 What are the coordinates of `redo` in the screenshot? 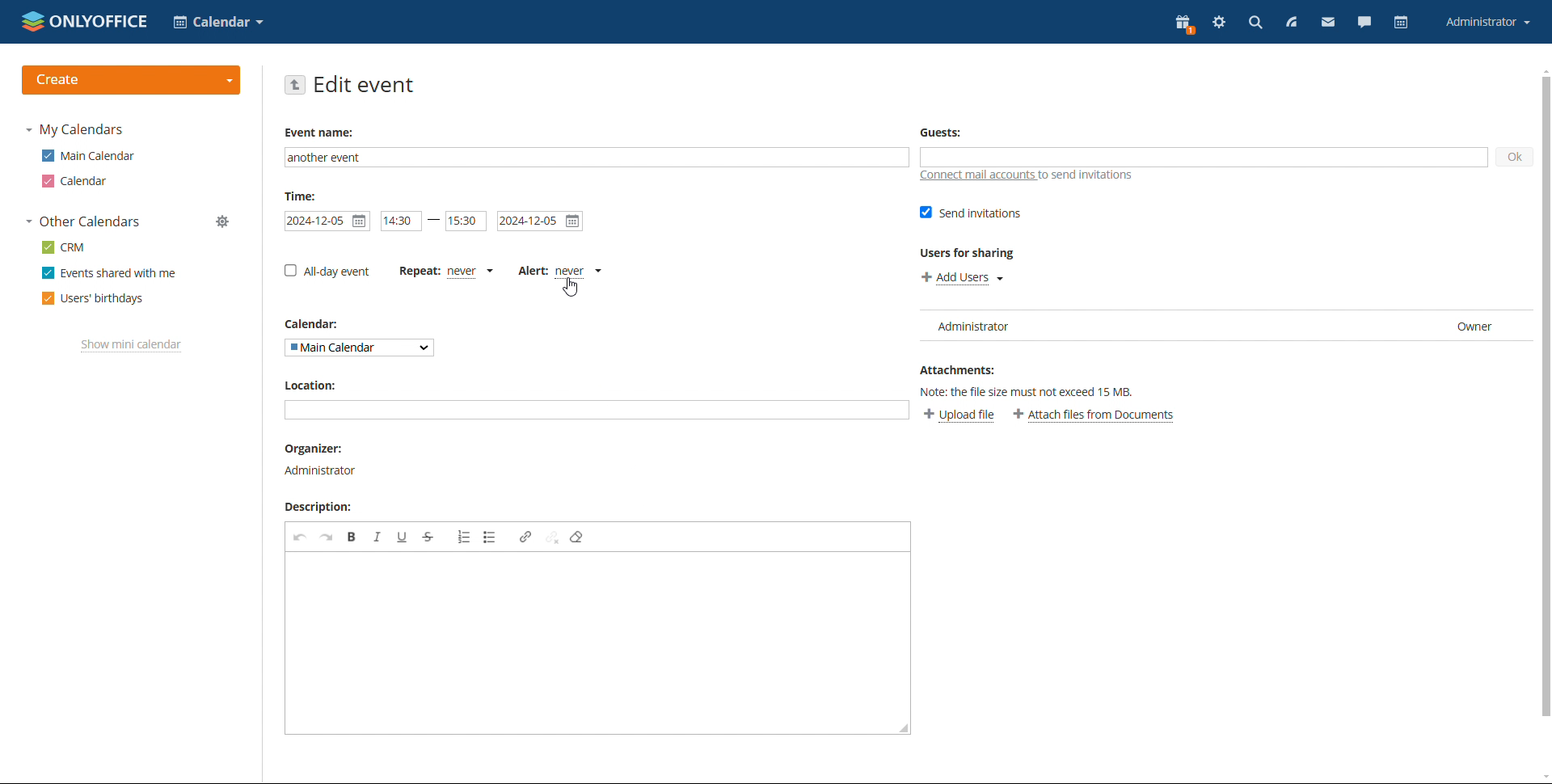 It's located at (327, 537).